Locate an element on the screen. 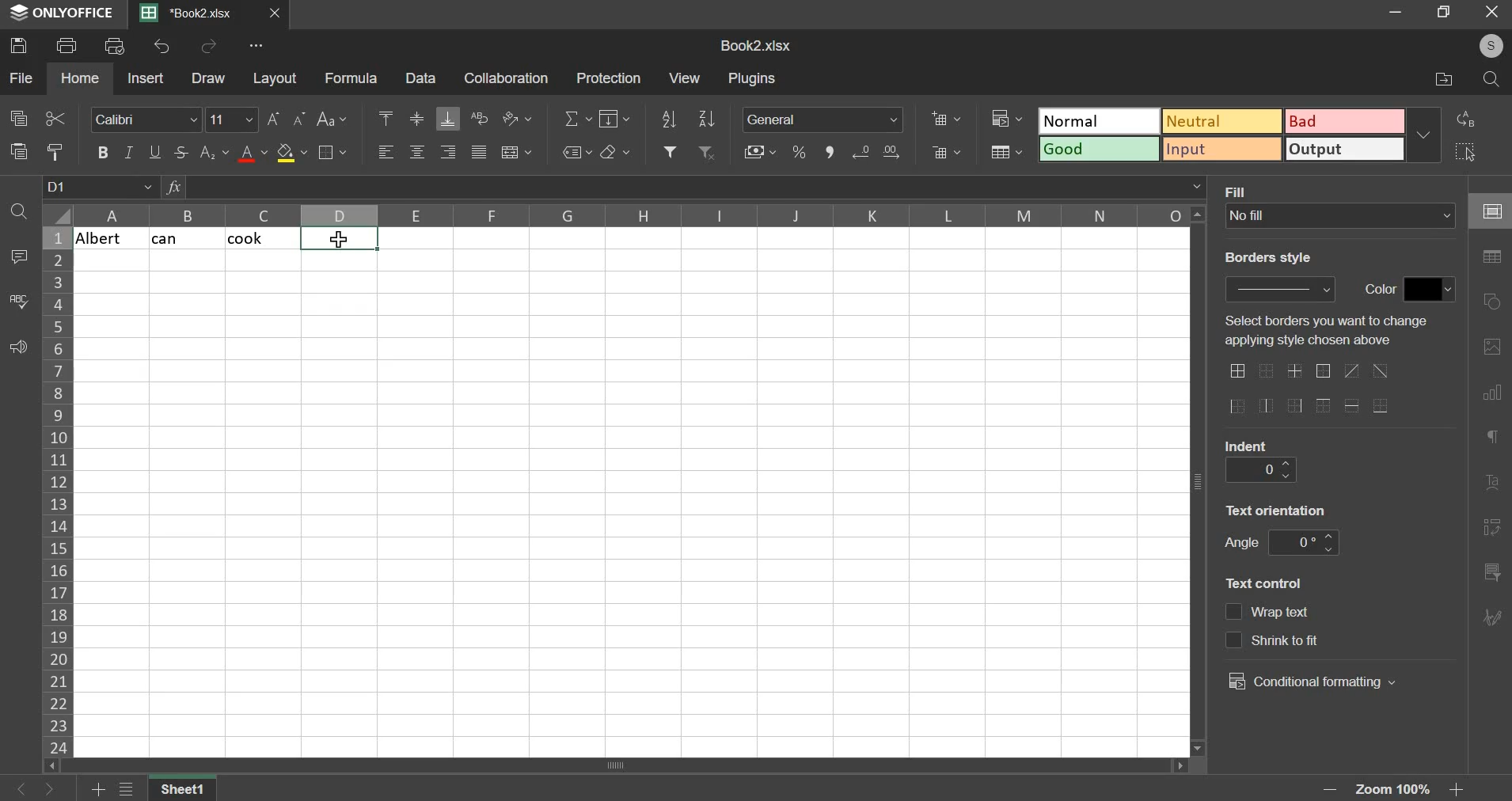 This screenshot has width=1512, height=801. merge & center is located at coordinates (517, 152).